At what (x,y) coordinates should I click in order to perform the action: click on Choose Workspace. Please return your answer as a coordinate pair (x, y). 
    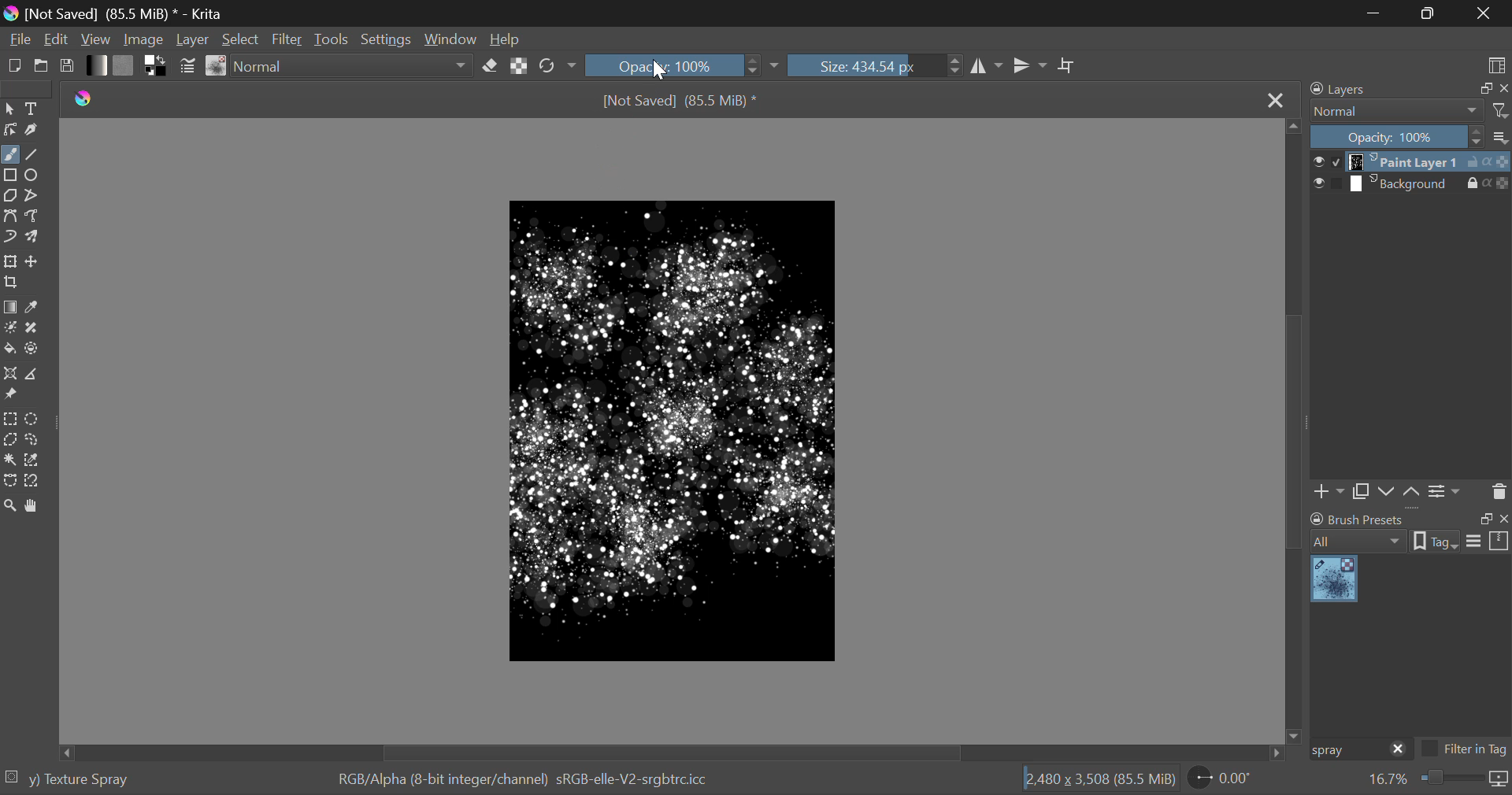
    Looking at the image, I should click on (1496, 65).